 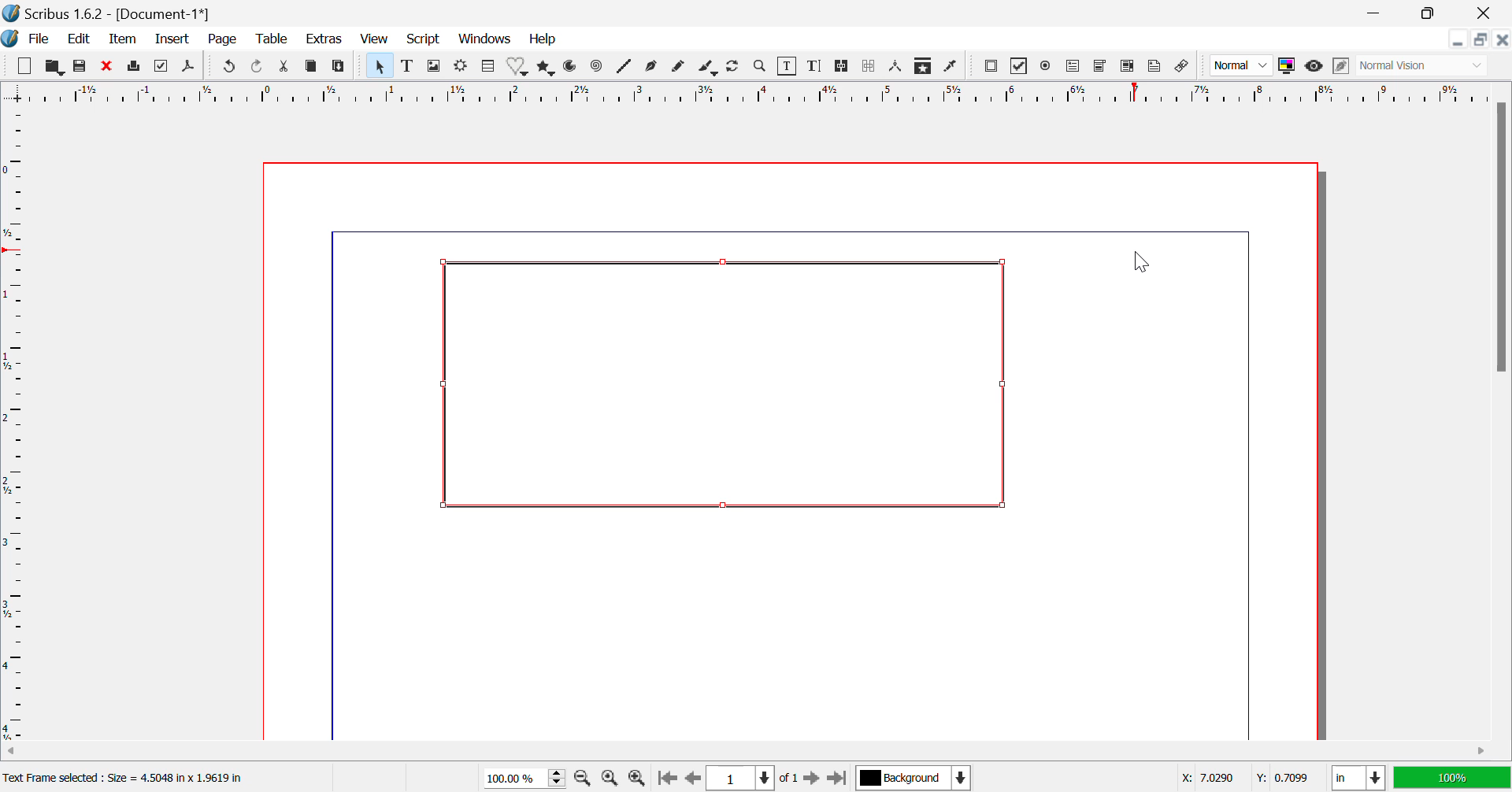 What do you see at coordinates (1241, 68) in the screenshot?
I see `Normal` at bounding box center [1241, 68].